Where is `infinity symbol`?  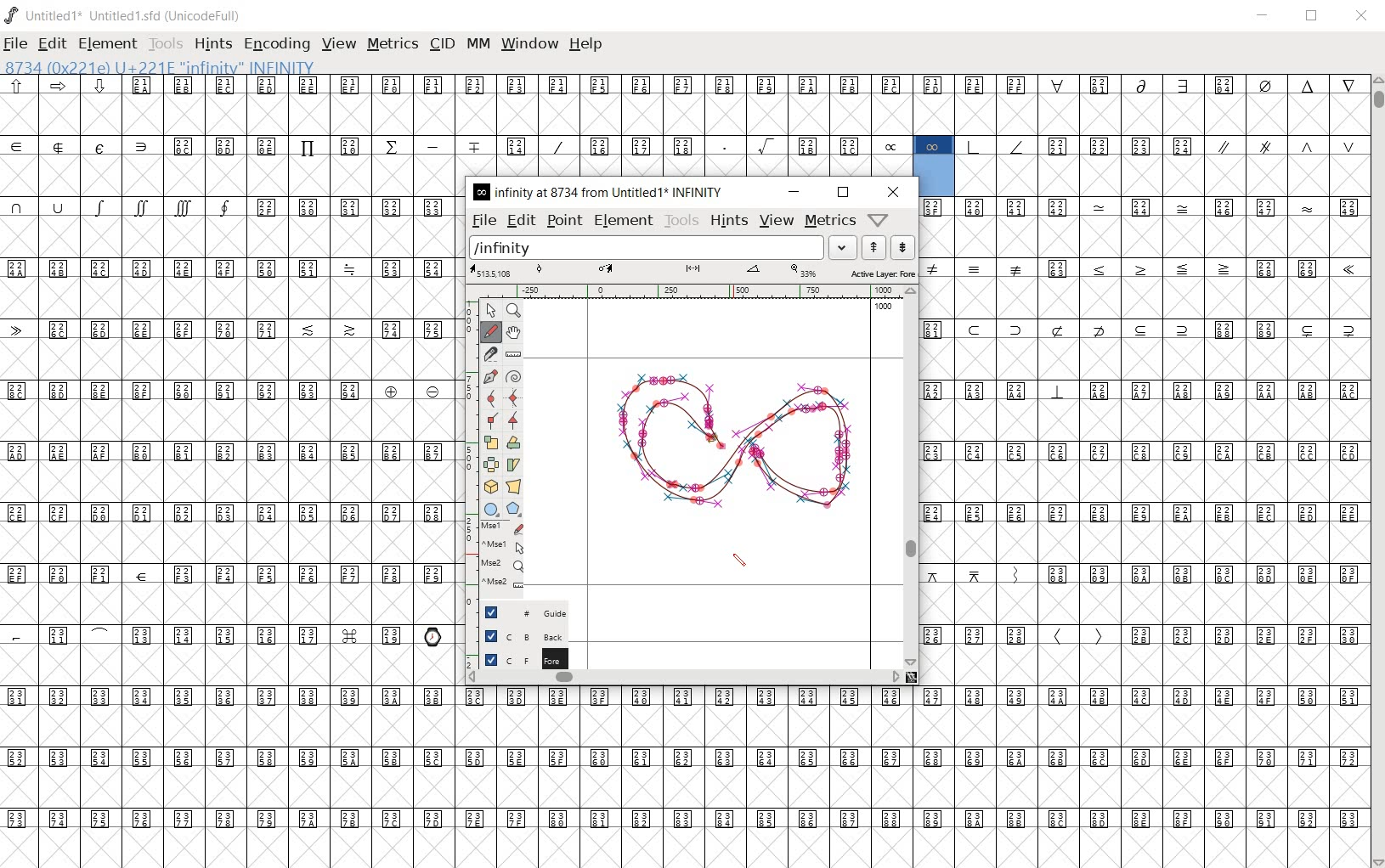 infinity symbol is located at coordinates (933, 145).